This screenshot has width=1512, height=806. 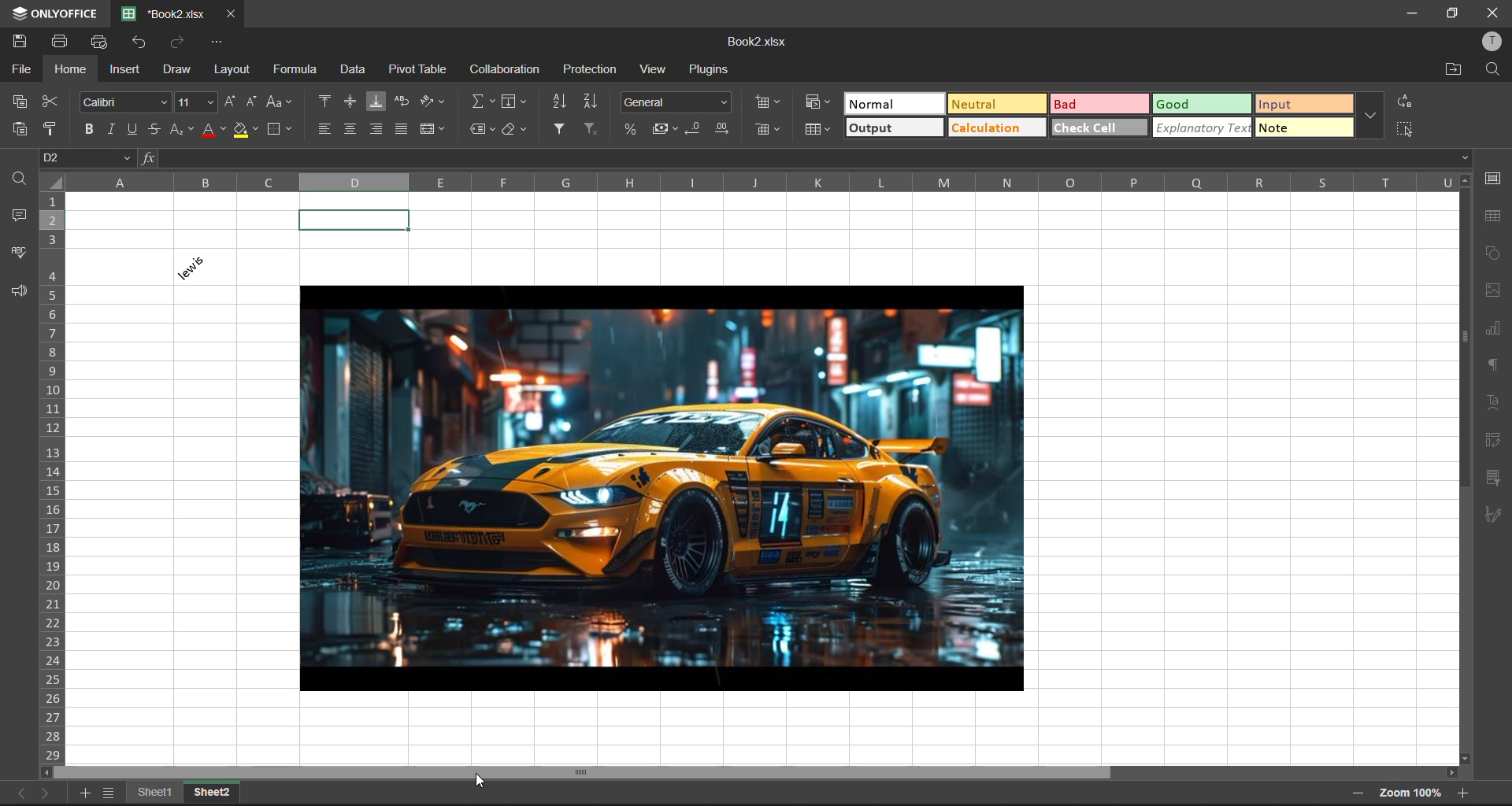 I want to click on comments, so click(x=21, y=216).